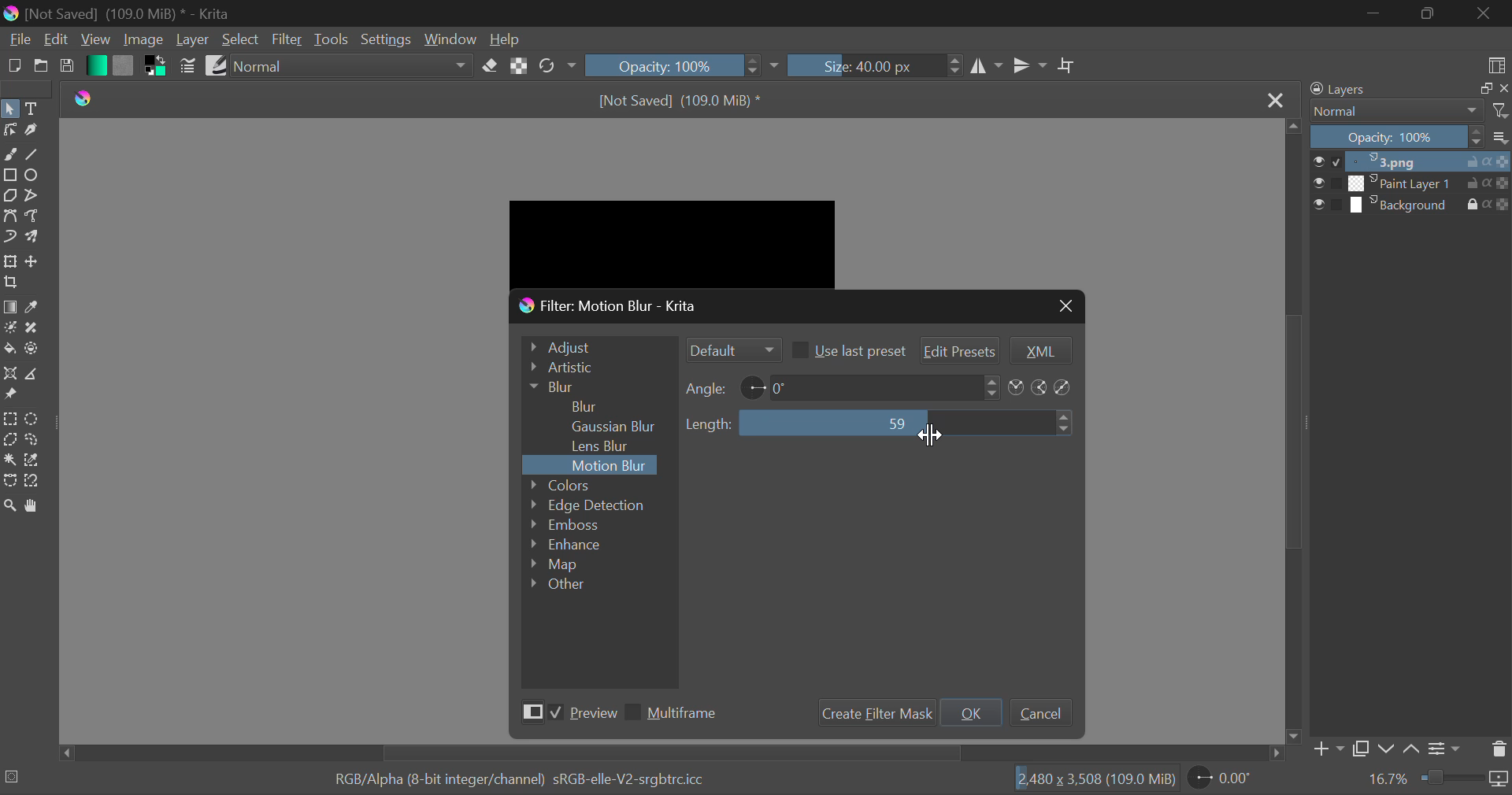 This screenshot has height=795, width=1512. Describe the element at coordinates (1223, 780) in the screenshot. I see `0.00` at that location.